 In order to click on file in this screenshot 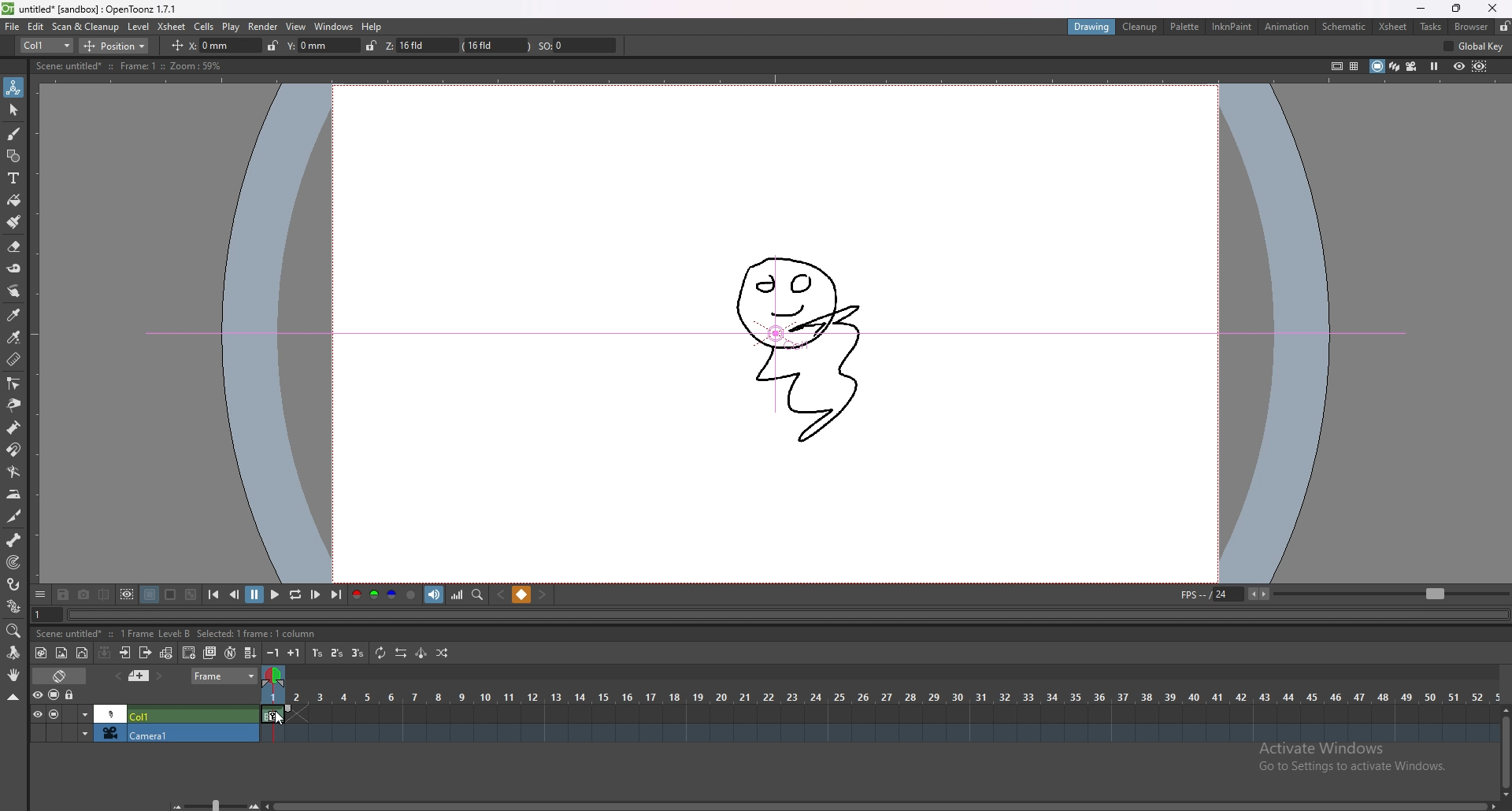, I will do `click(13, 26)`.